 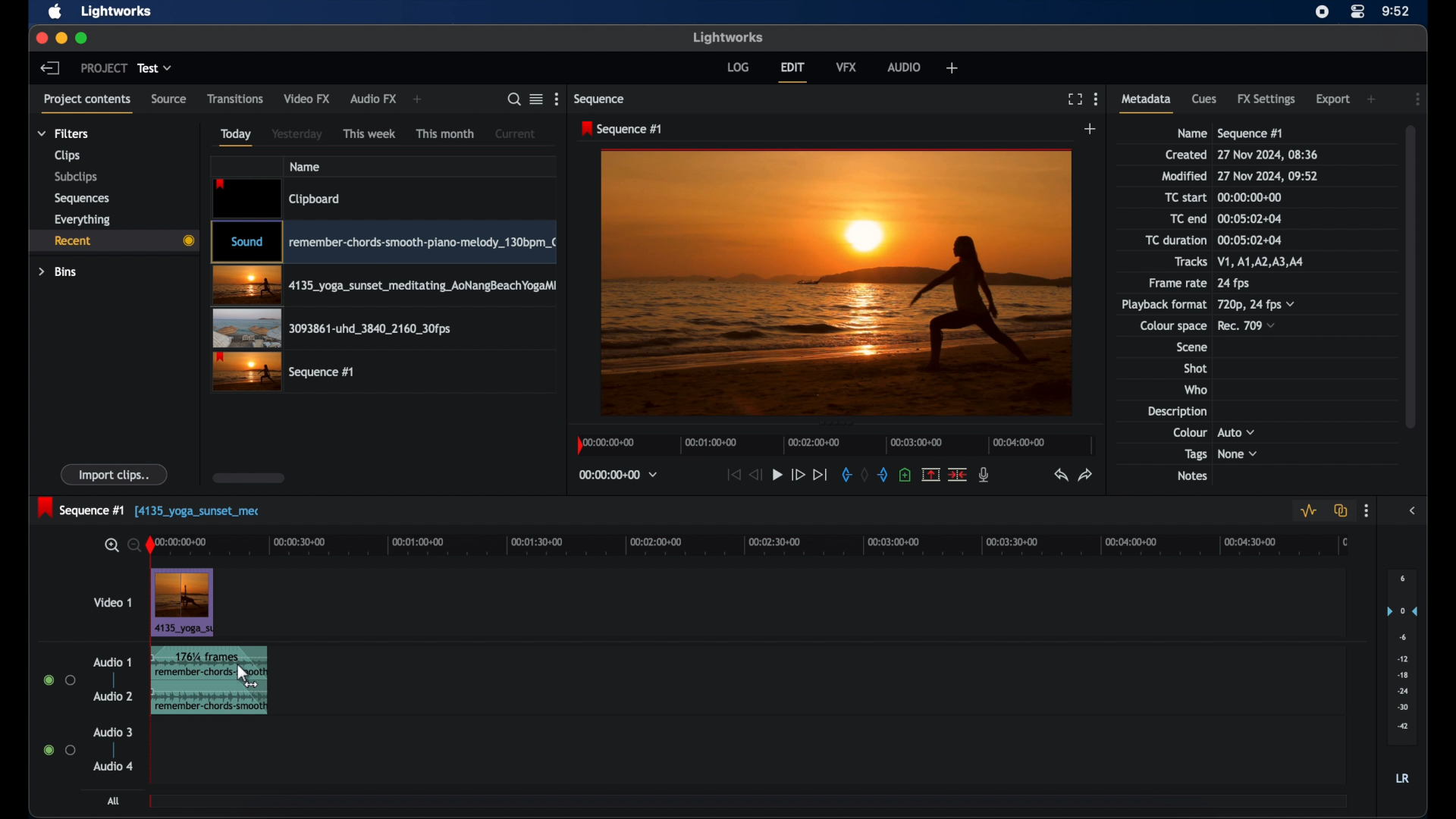 What do you see at coordinates (1191, 133) in the screenshot?
I see `name` at bounding box center [1191, 133].